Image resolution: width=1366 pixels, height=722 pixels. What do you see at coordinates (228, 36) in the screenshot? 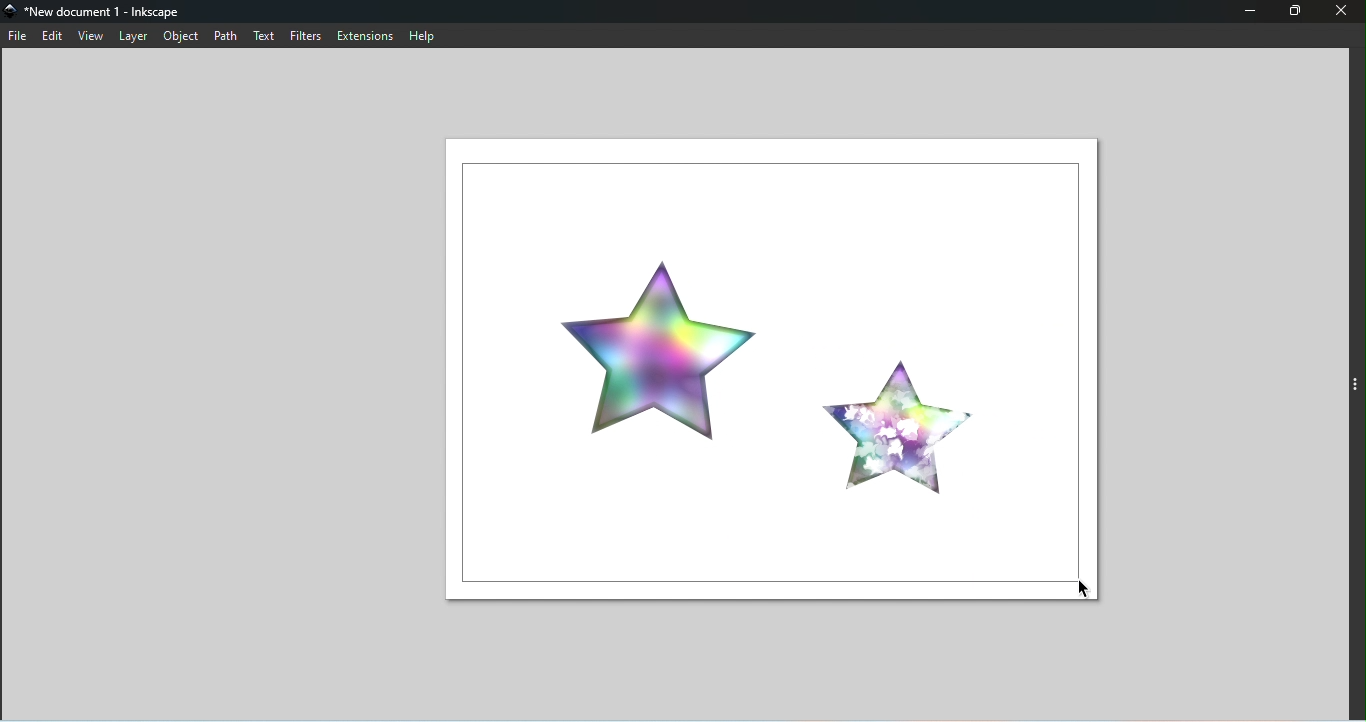
I see `Path` at bounding box center [228, 36].